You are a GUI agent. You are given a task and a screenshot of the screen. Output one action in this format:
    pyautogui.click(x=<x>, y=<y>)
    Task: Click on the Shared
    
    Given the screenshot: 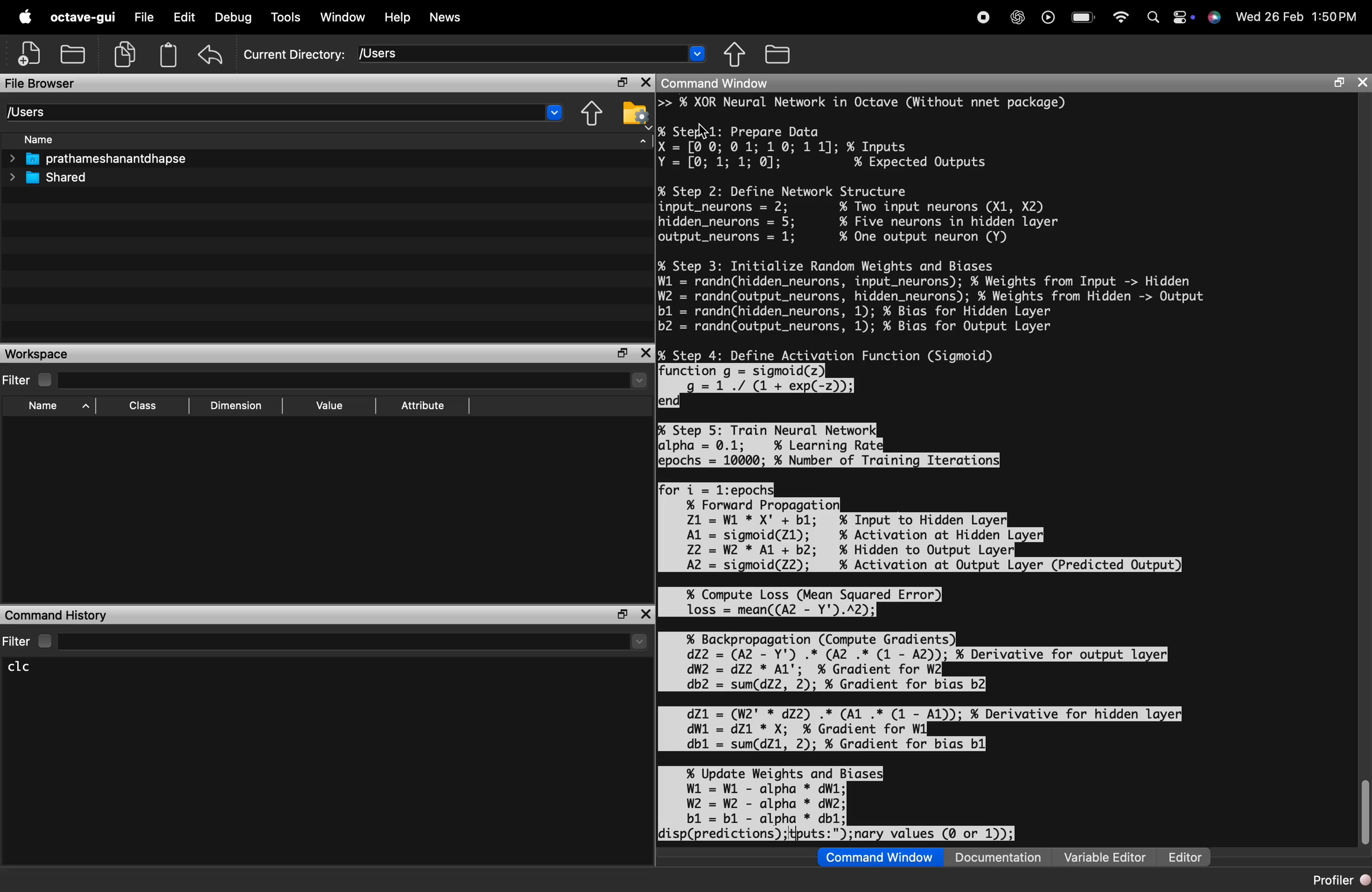 What is the action you would take?
    pyautogui.click(x=51, y=177)
    